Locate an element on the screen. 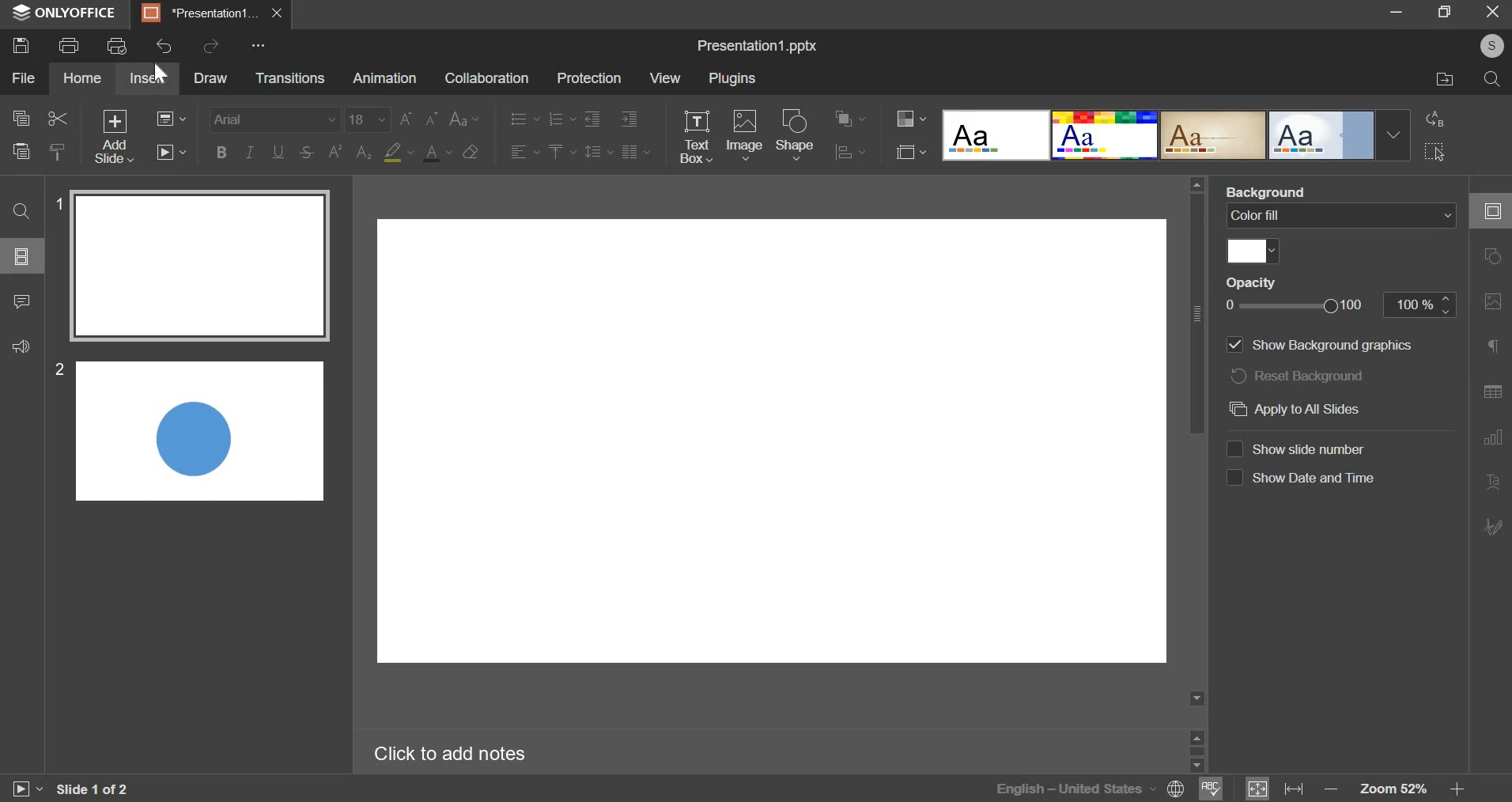  scroll down is located at coordinates (1202, 766).